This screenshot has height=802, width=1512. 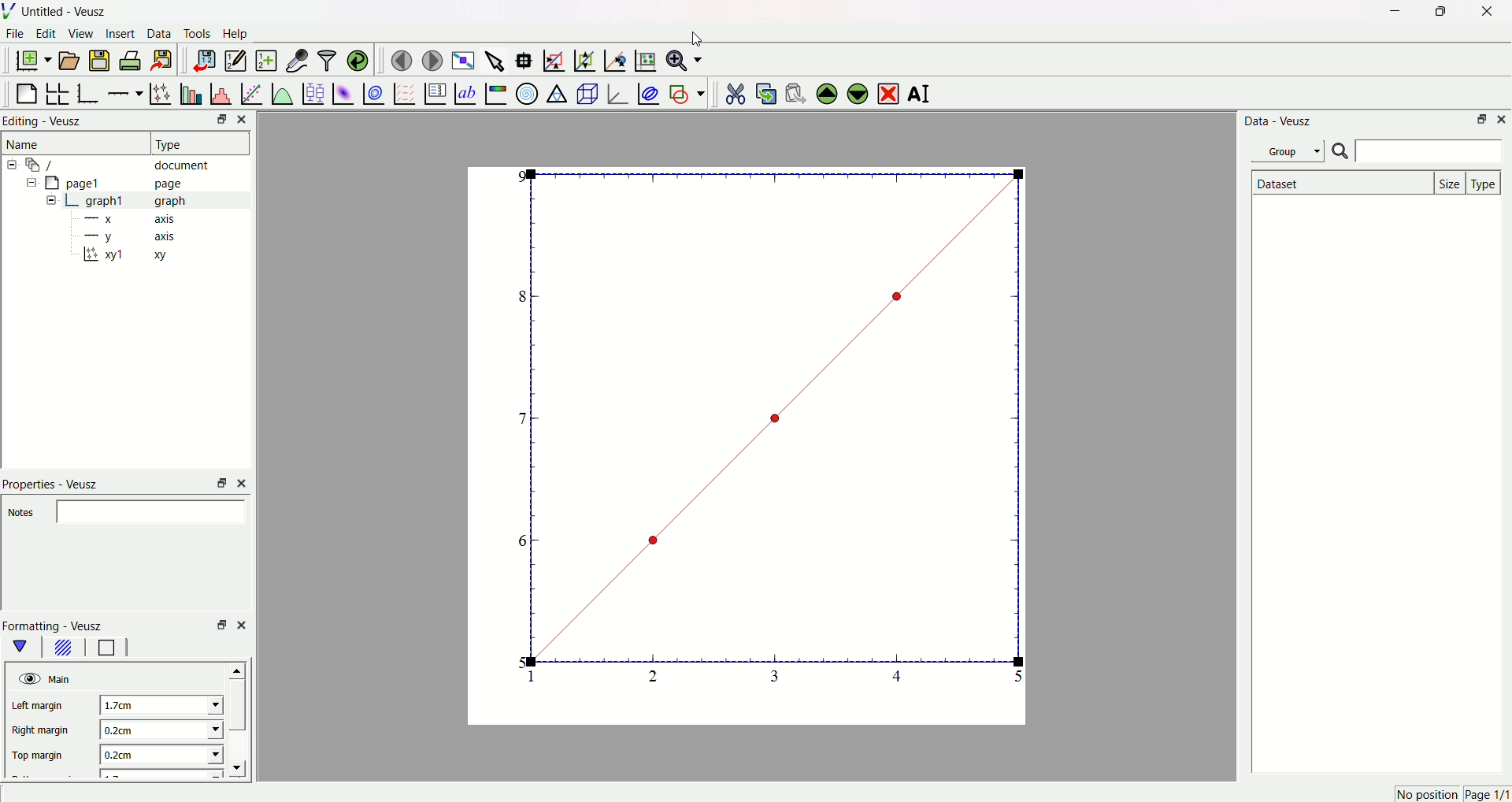 What do you see at coordinates (46, 122) in the screenshot?
I see `Editing - Veusz` at bounding box center [46, 122].